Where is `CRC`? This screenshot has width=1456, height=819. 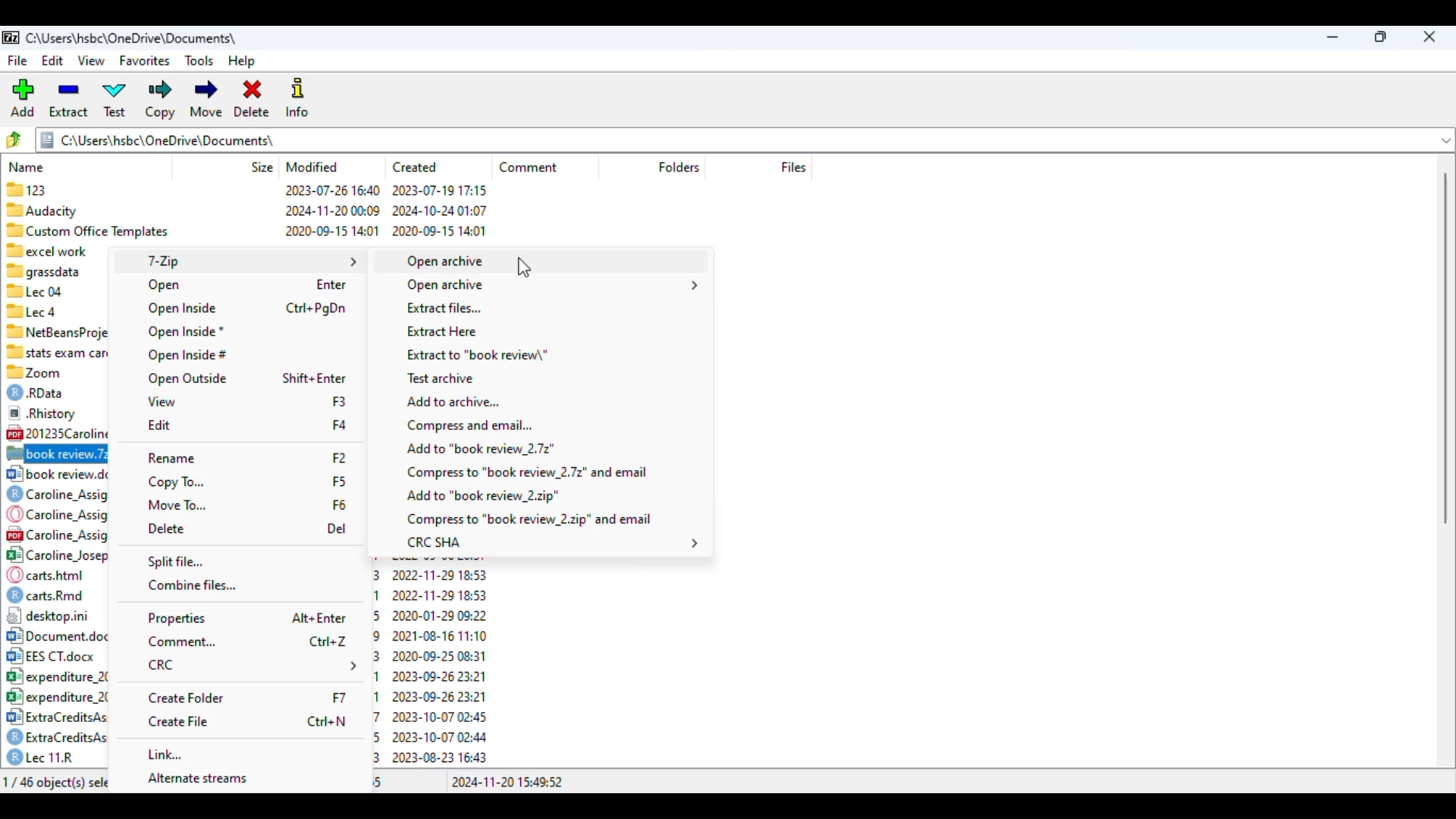
CRC is located at coordinates (253, 664).